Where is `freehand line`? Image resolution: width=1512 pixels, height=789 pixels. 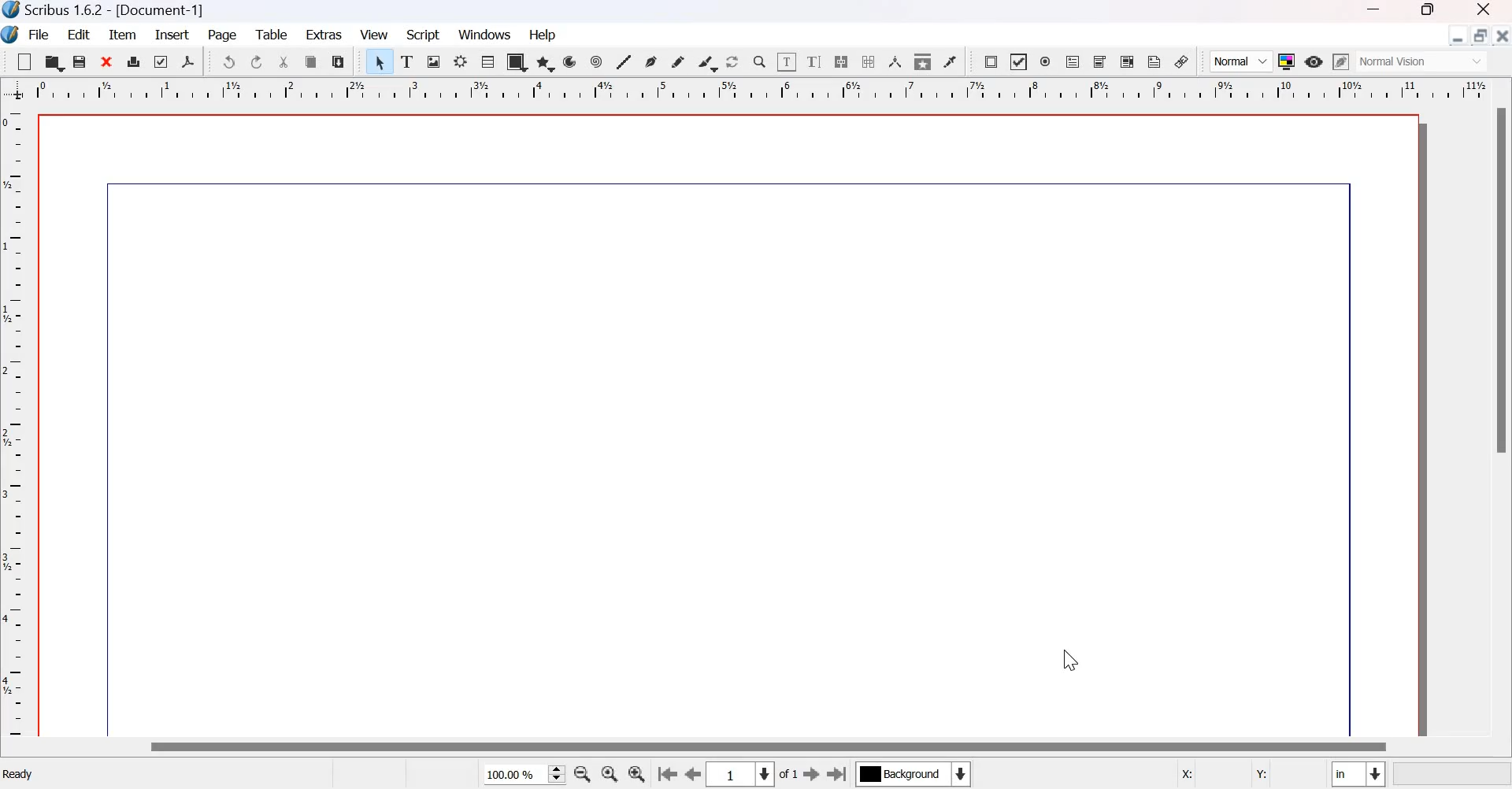
freehand line is located at coordinates (679, 61).